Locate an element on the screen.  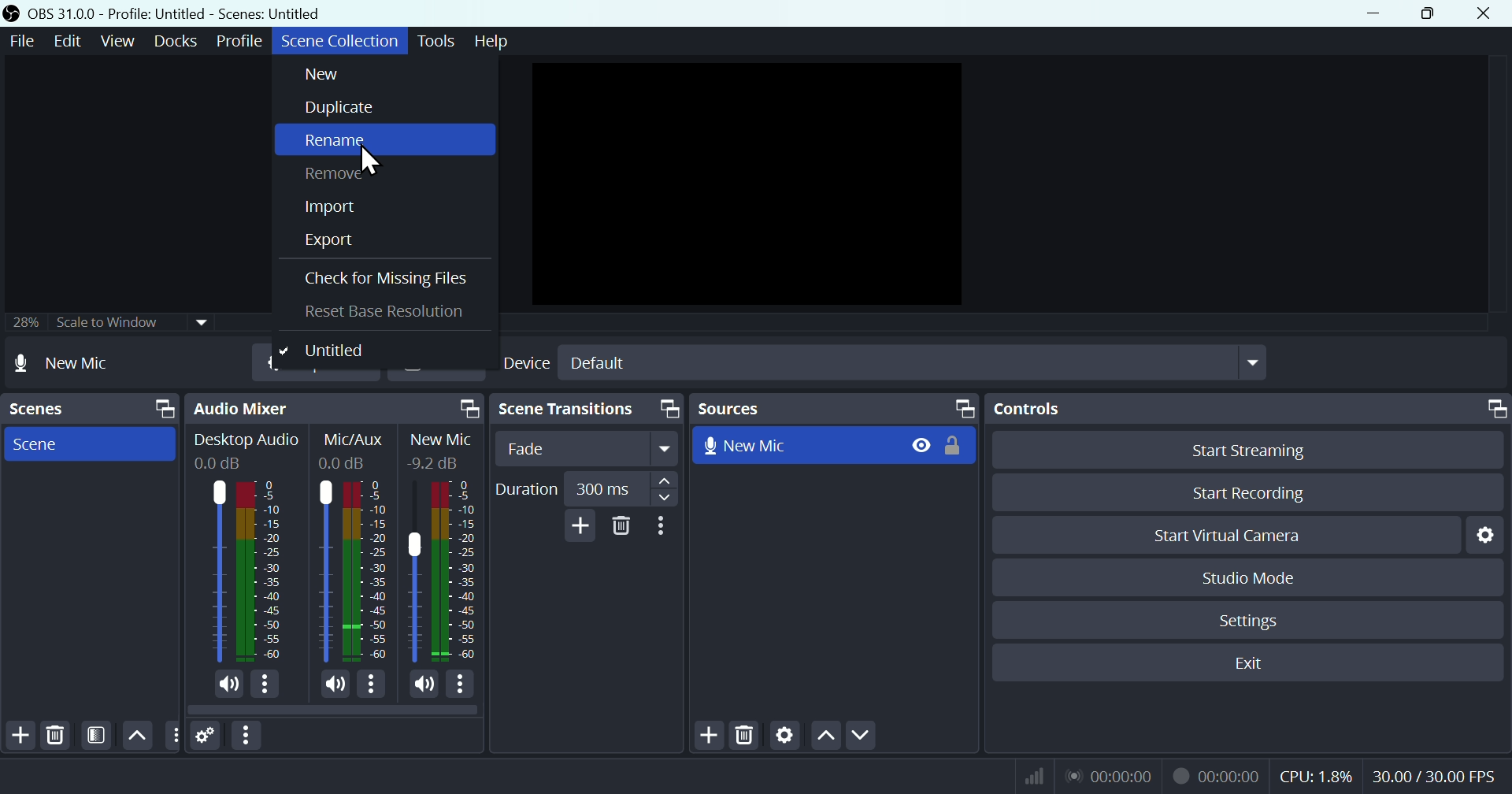
up is located at coordinates (136, 733).